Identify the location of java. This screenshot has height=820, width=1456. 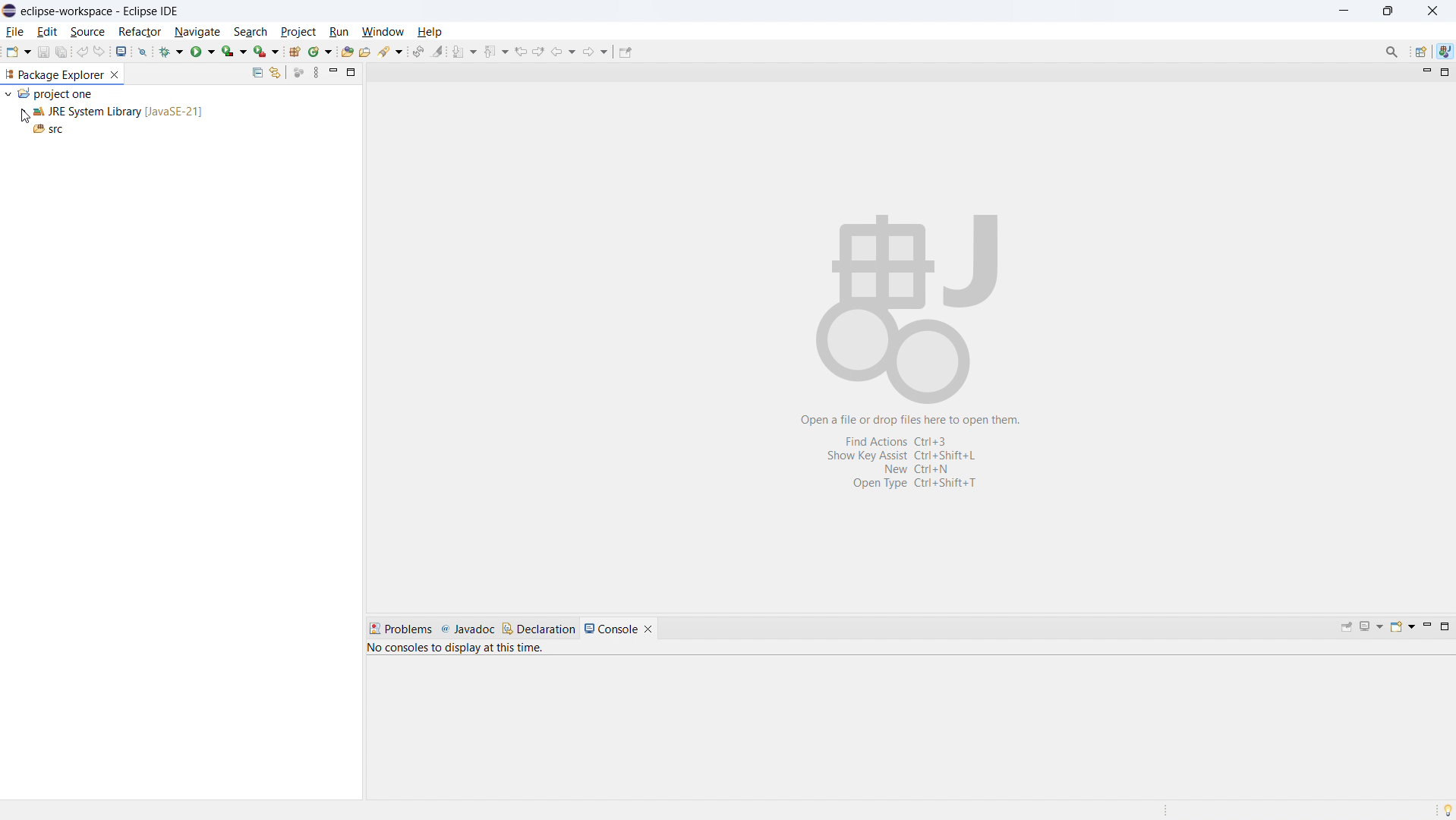
(1445, 52).